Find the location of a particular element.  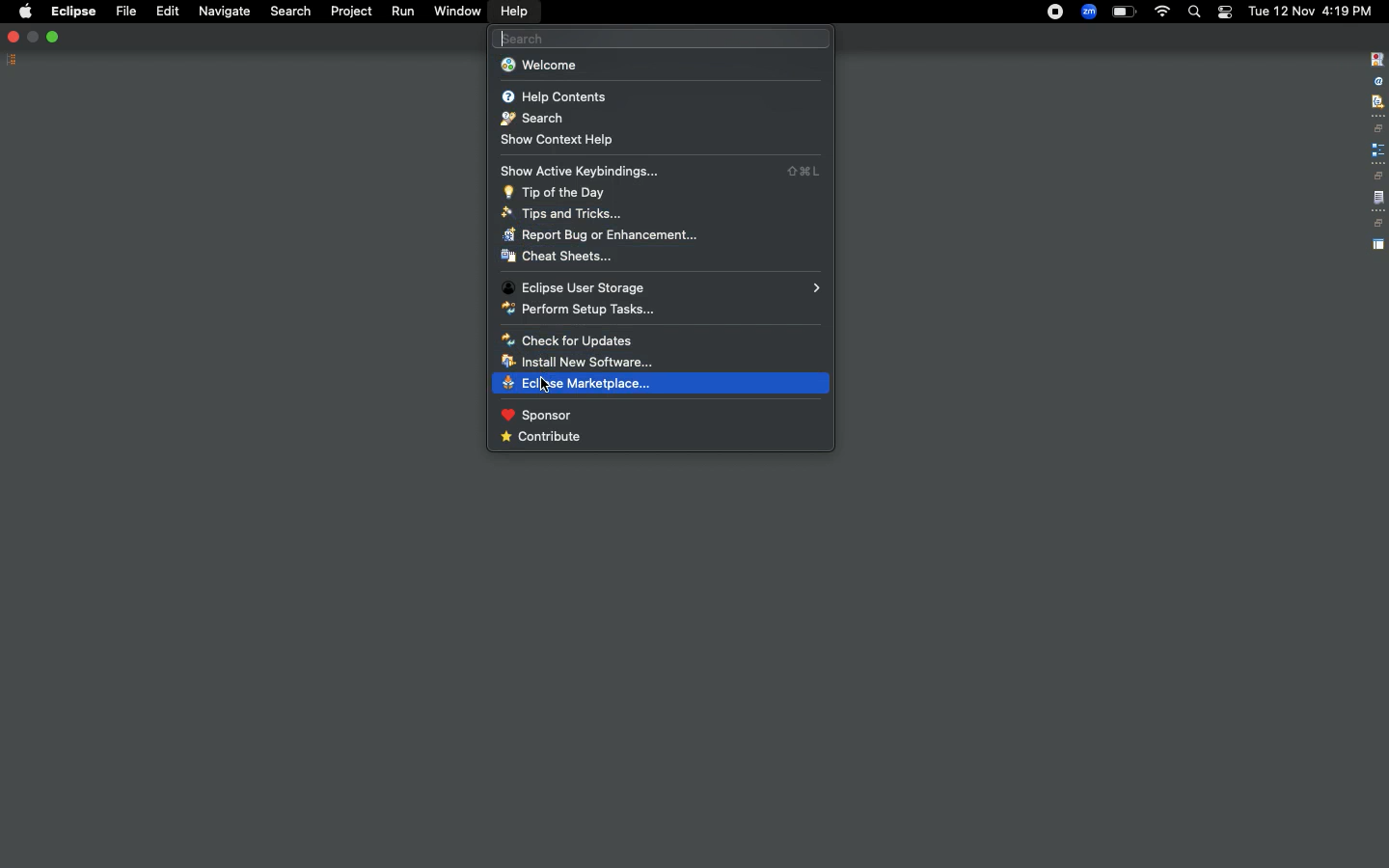

File is located at coordinates (124, 11).